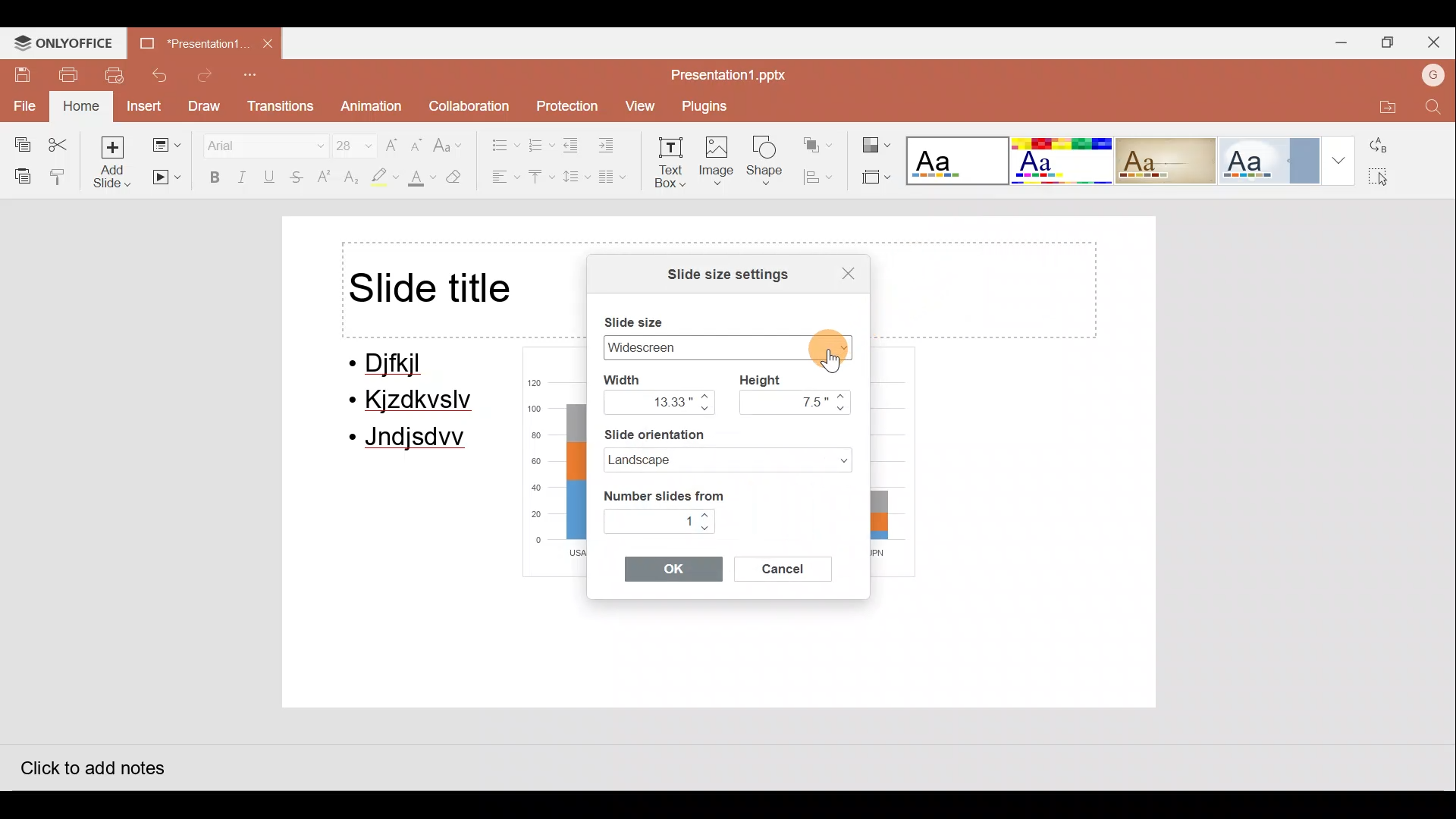 This screenshot has height=819, width=1456. Describe the element at coordinates (211, 177) in the screenshot. I see `Bold` at that location.